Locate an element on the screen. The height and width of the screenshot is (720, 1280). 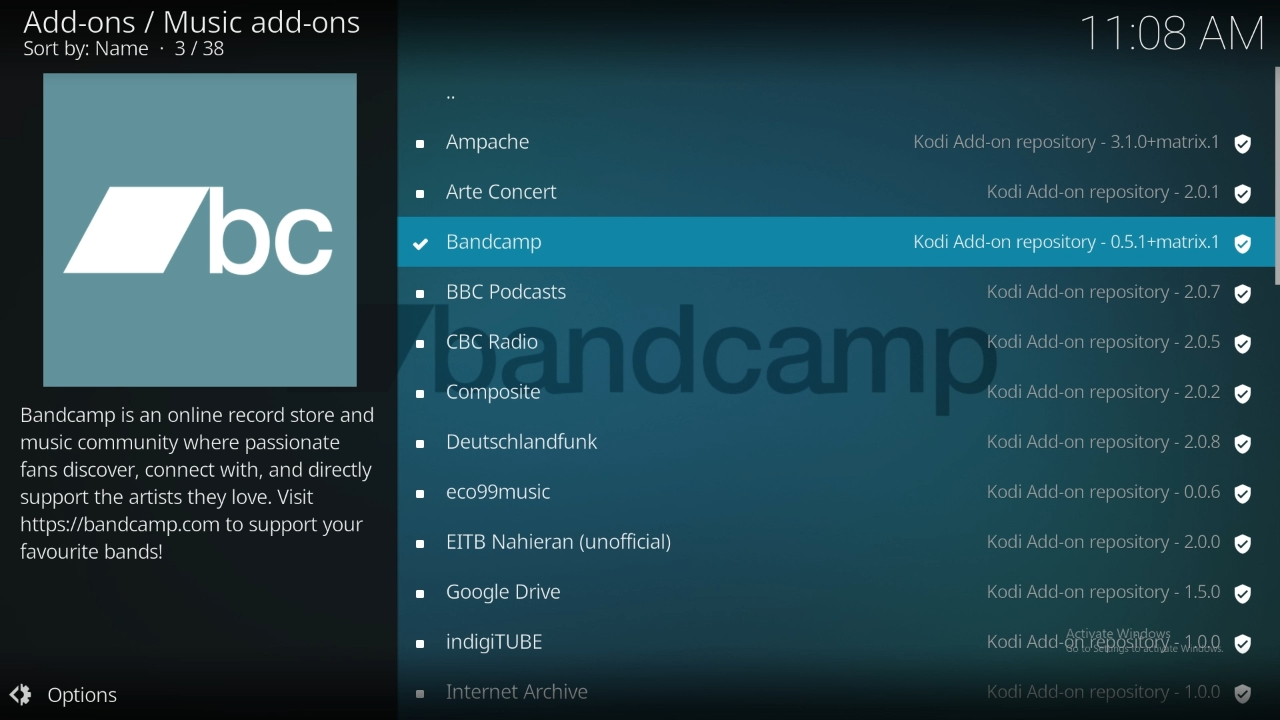
options is located at coordinates (83, 694).